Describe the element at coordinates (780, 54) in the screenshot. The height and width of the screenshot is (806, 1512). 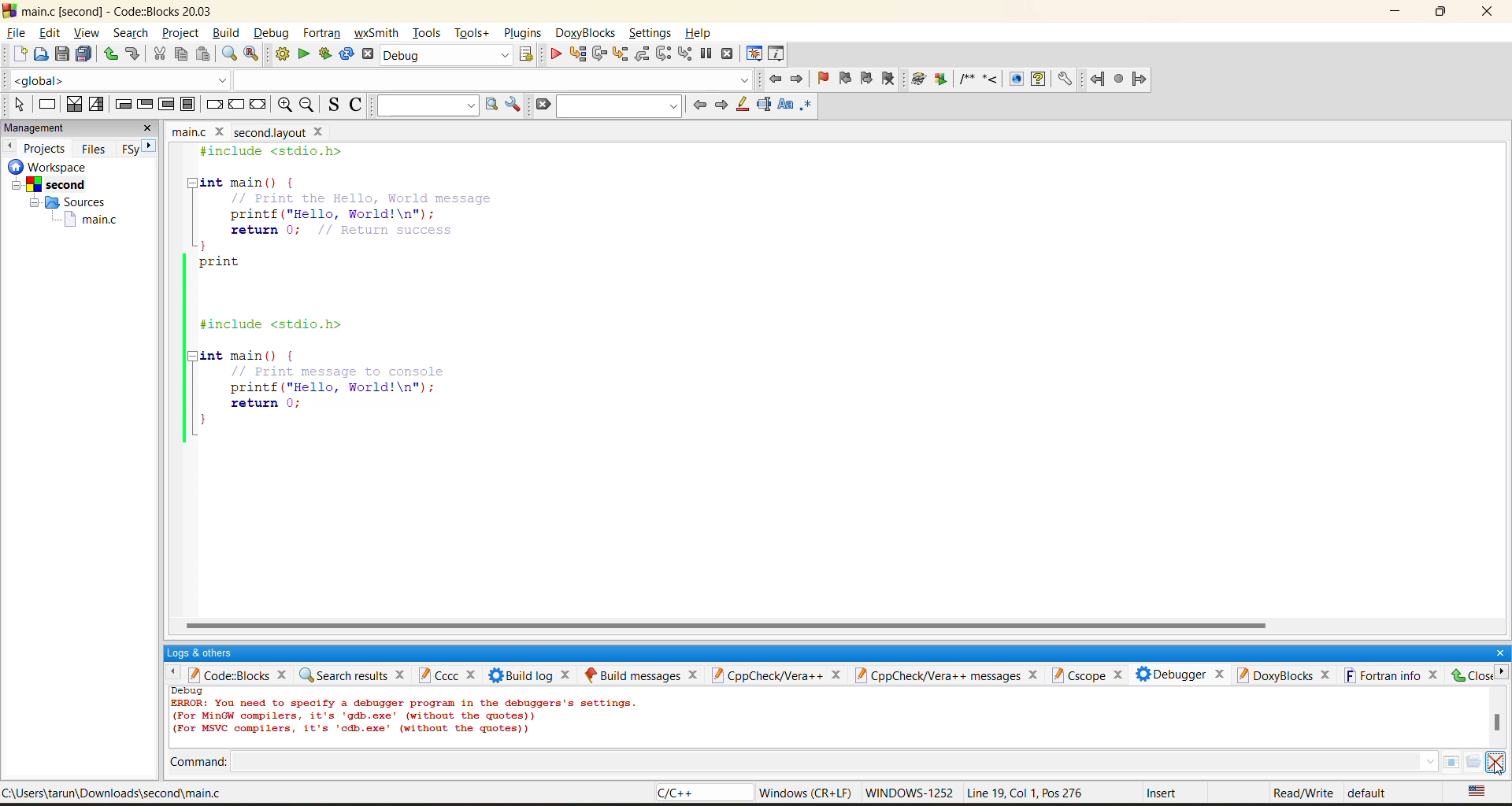
I see `various info` at that location.